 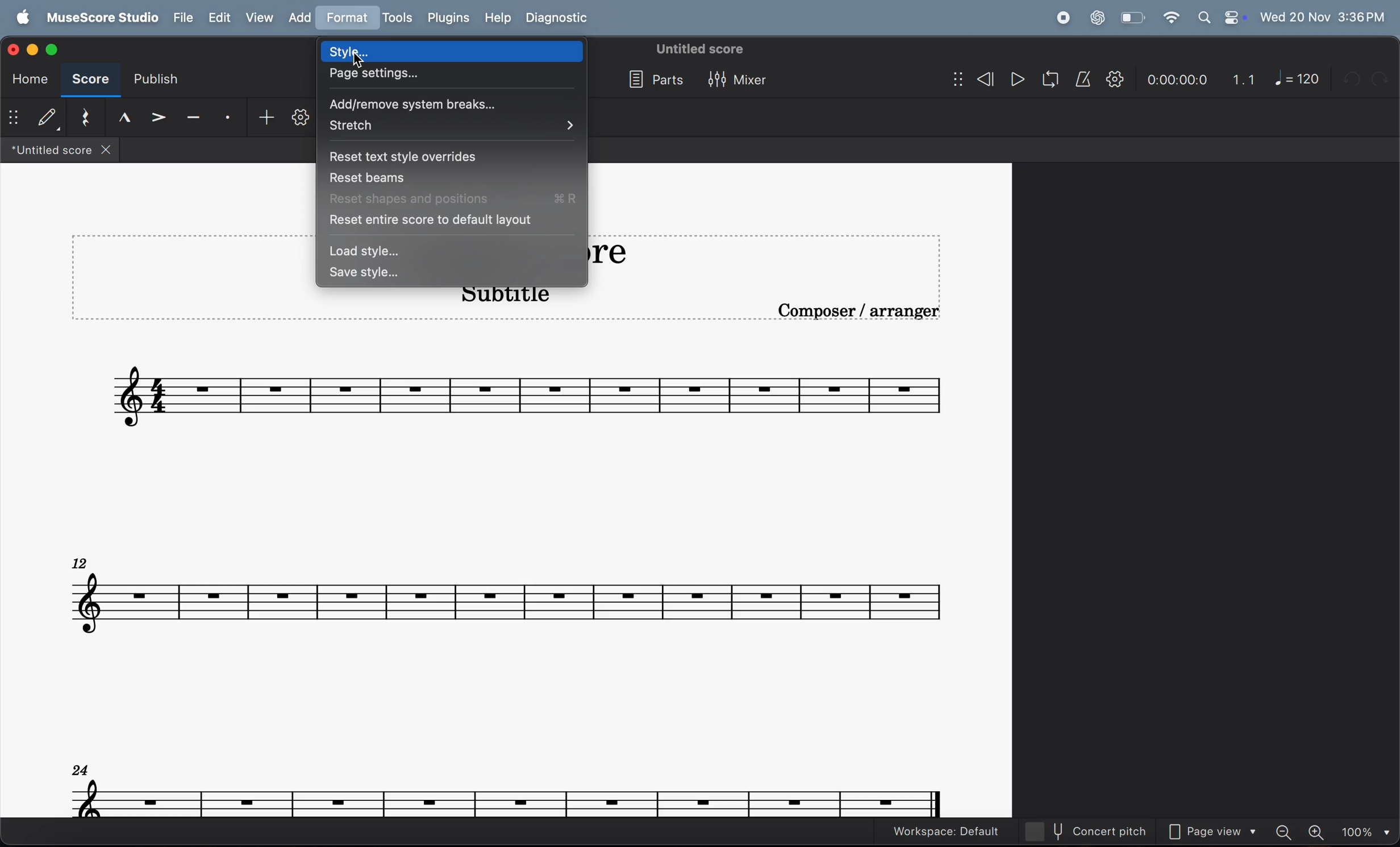 What do you see at coordinates (509, 790) in the screenshot?
I see `notes` at bounding box center [509, 790].